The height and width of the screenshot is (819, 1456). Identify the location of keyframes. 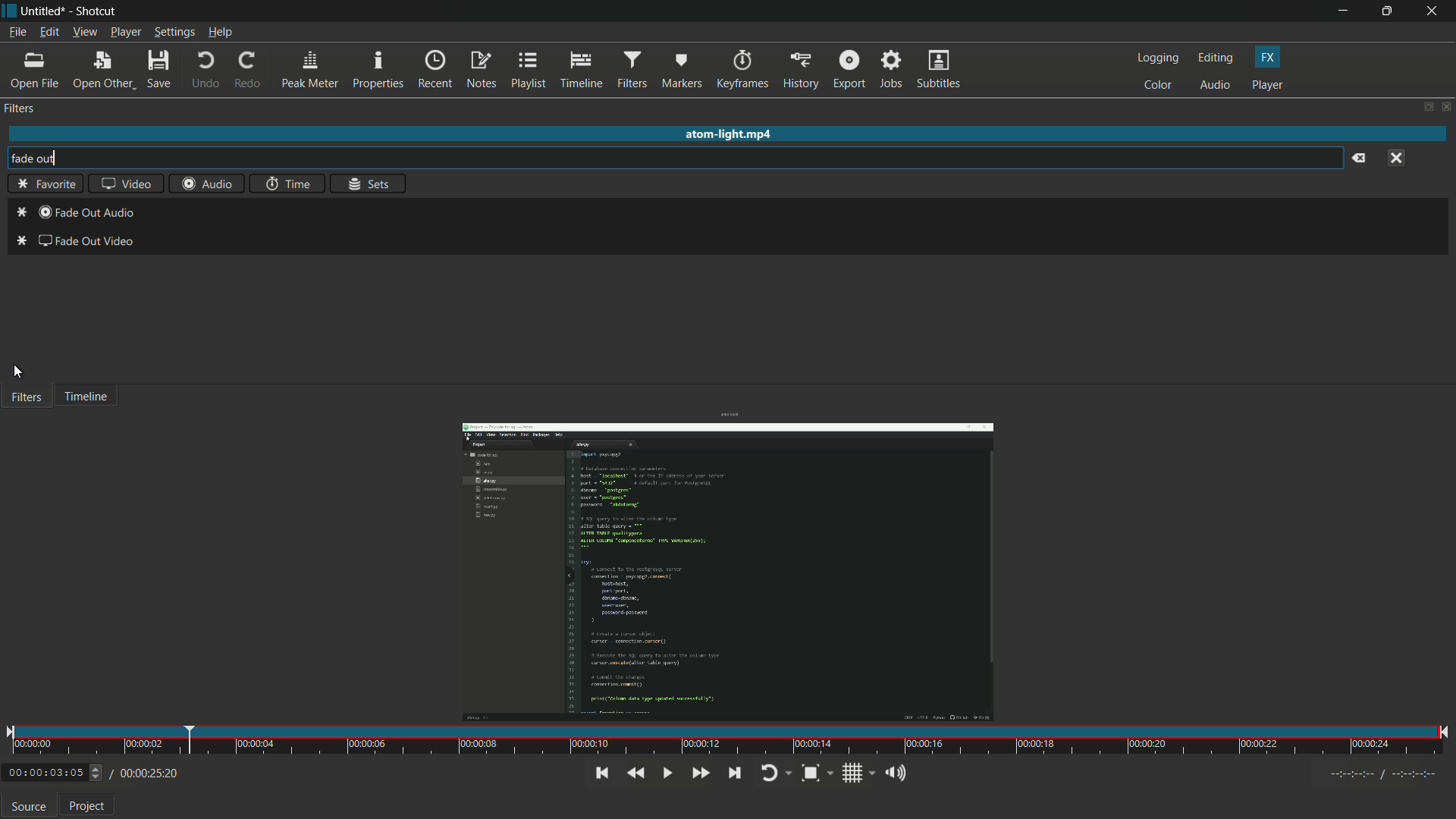
(742, 69).